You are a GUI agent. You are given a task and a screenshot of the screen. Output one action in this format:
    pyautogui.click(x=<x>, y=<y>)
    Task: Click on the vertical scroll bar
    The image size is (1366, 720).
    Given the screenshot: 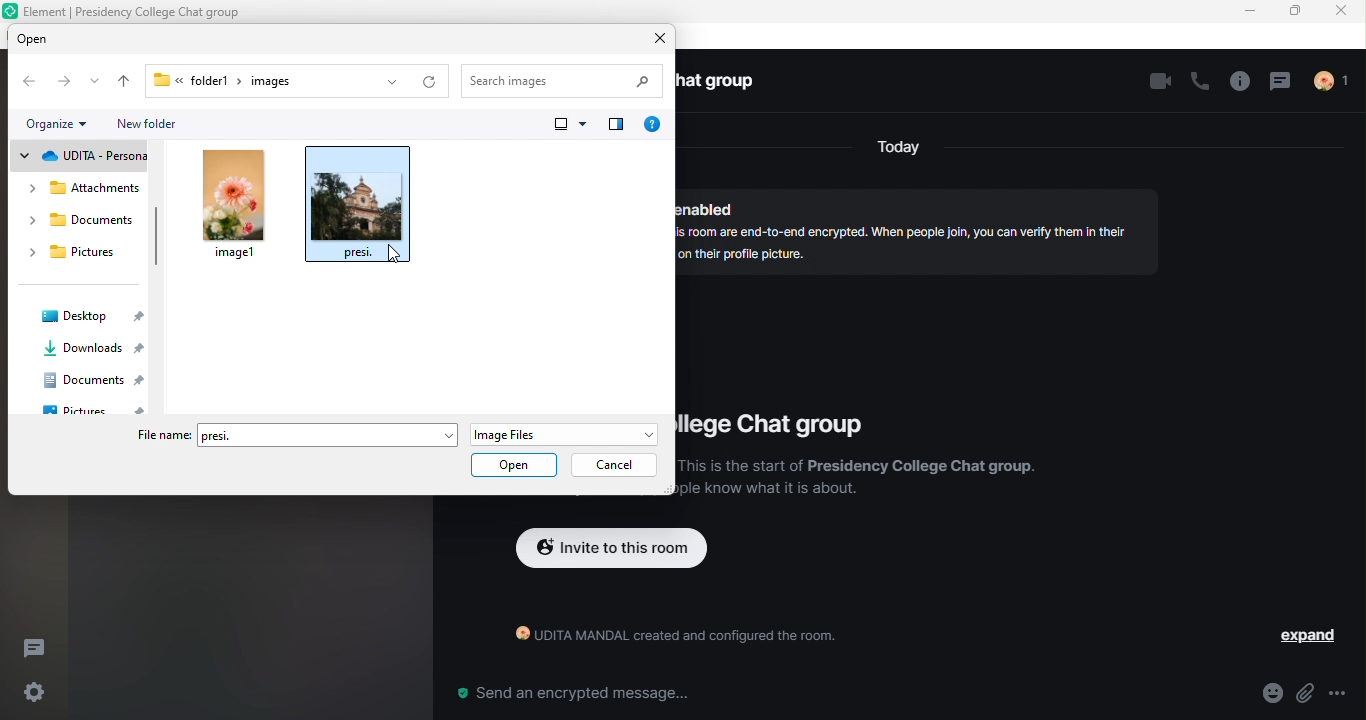 What is the action you would take?
    pyautogui.click(x=156, y=237)
    